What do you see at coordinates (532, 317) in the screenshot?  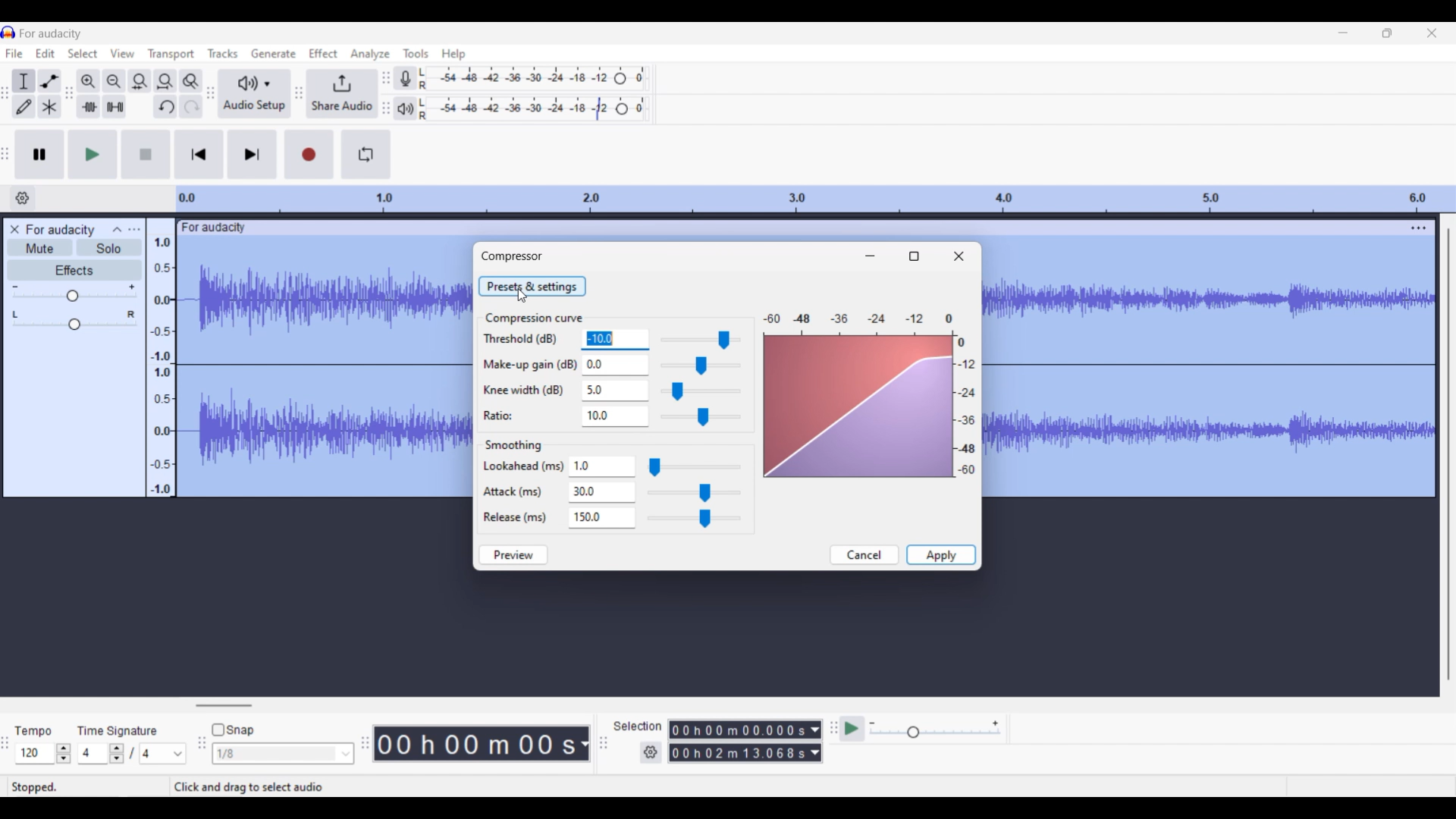 I see `compression curve` at bounding box center [532, 317].